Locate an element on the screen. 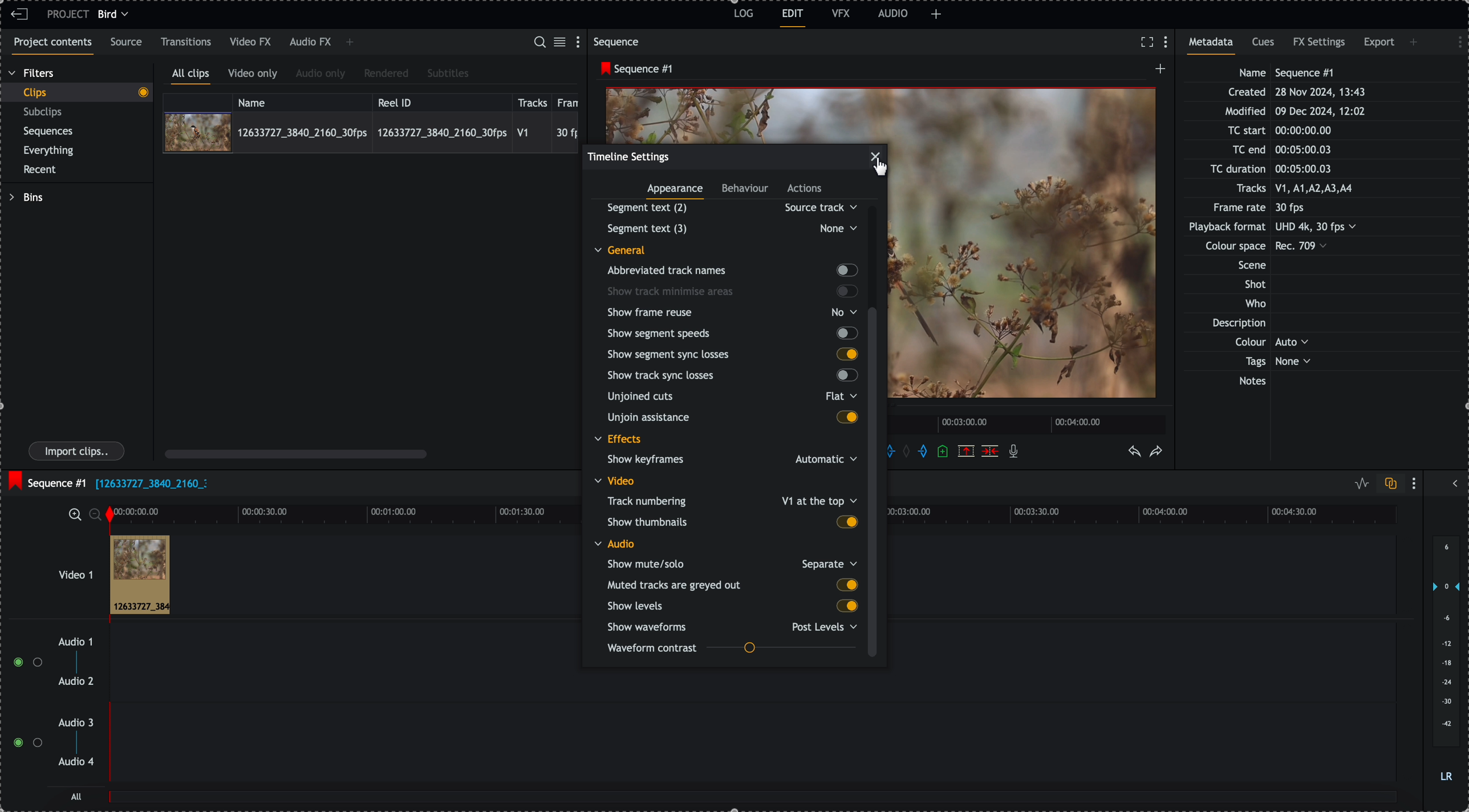 Image resolution: width=1469 pixels, height=812 pixels. AUDIO is located at coordinates (893, 13).